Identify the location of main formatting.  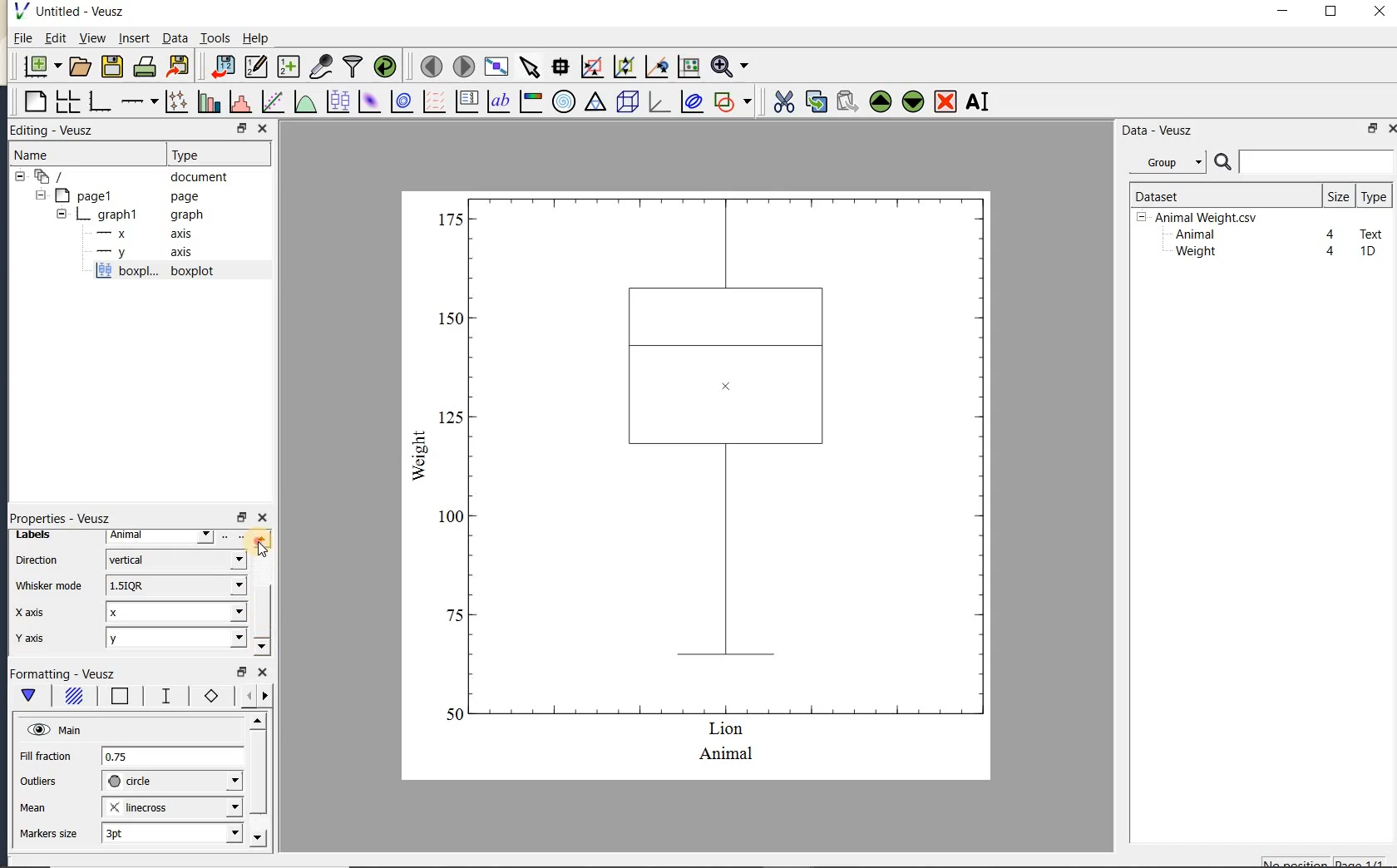
(28, 698).